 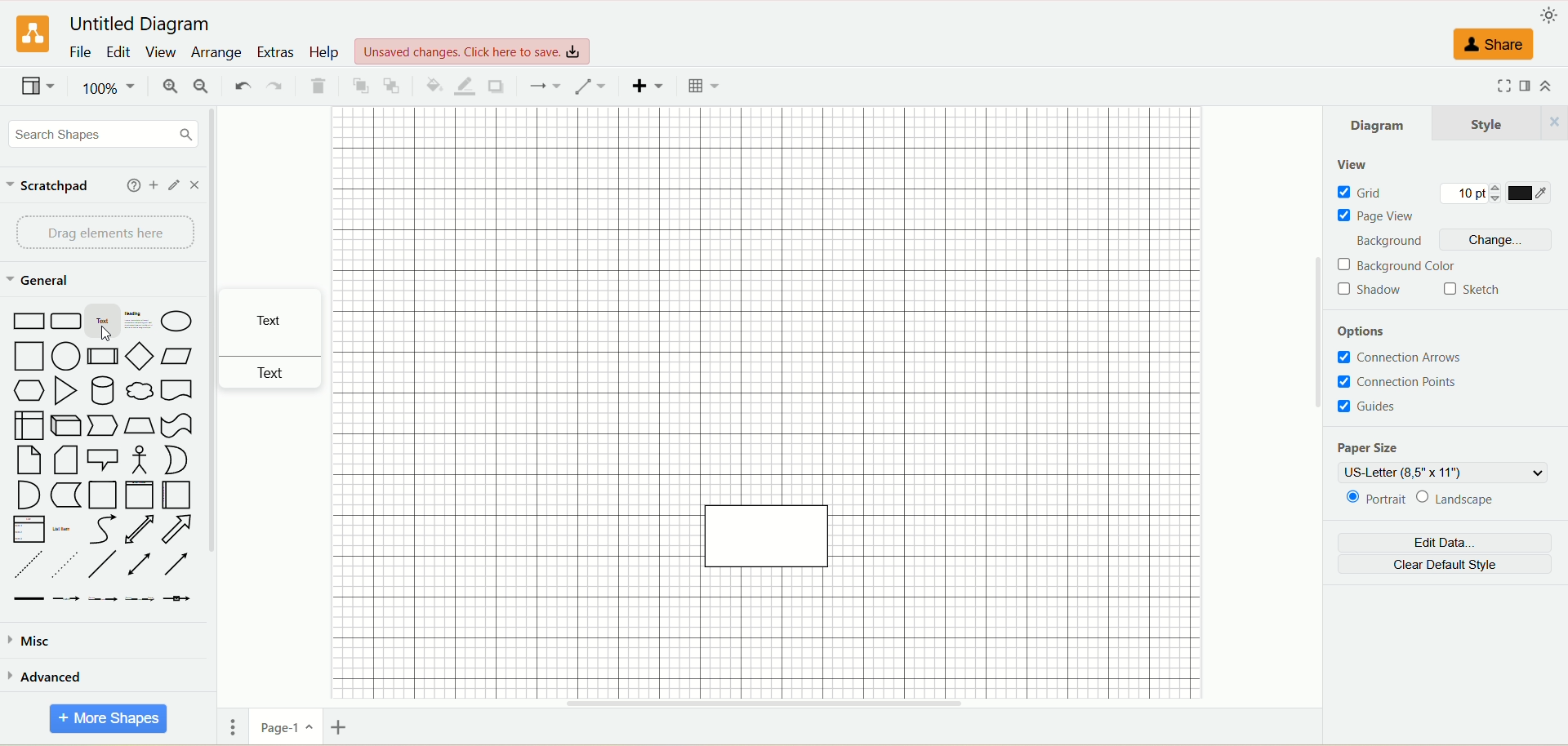 I want to click on style, so click(x=1500, y=120).